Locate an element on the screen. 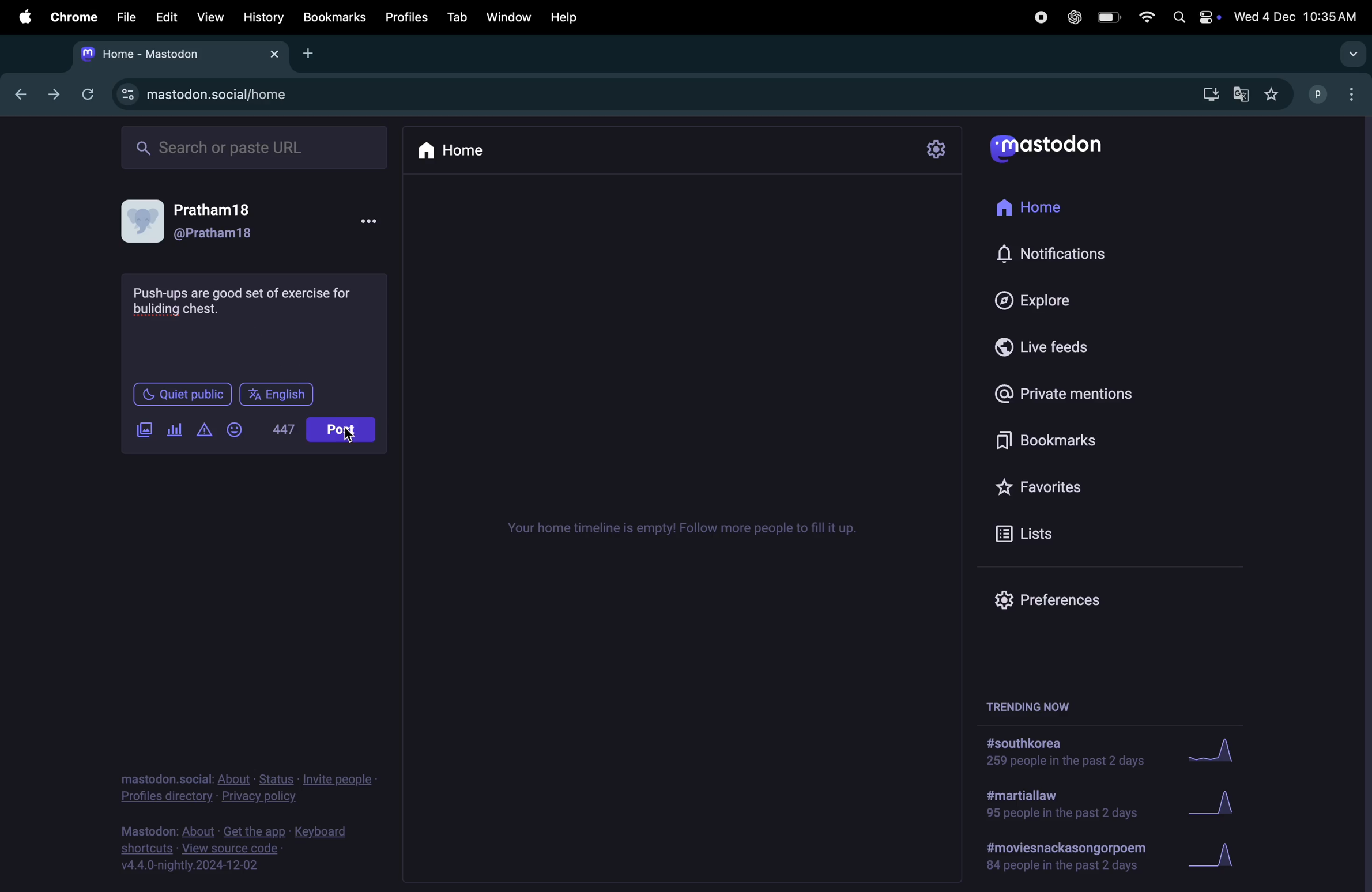  go next is located at coordinates (52, 95).